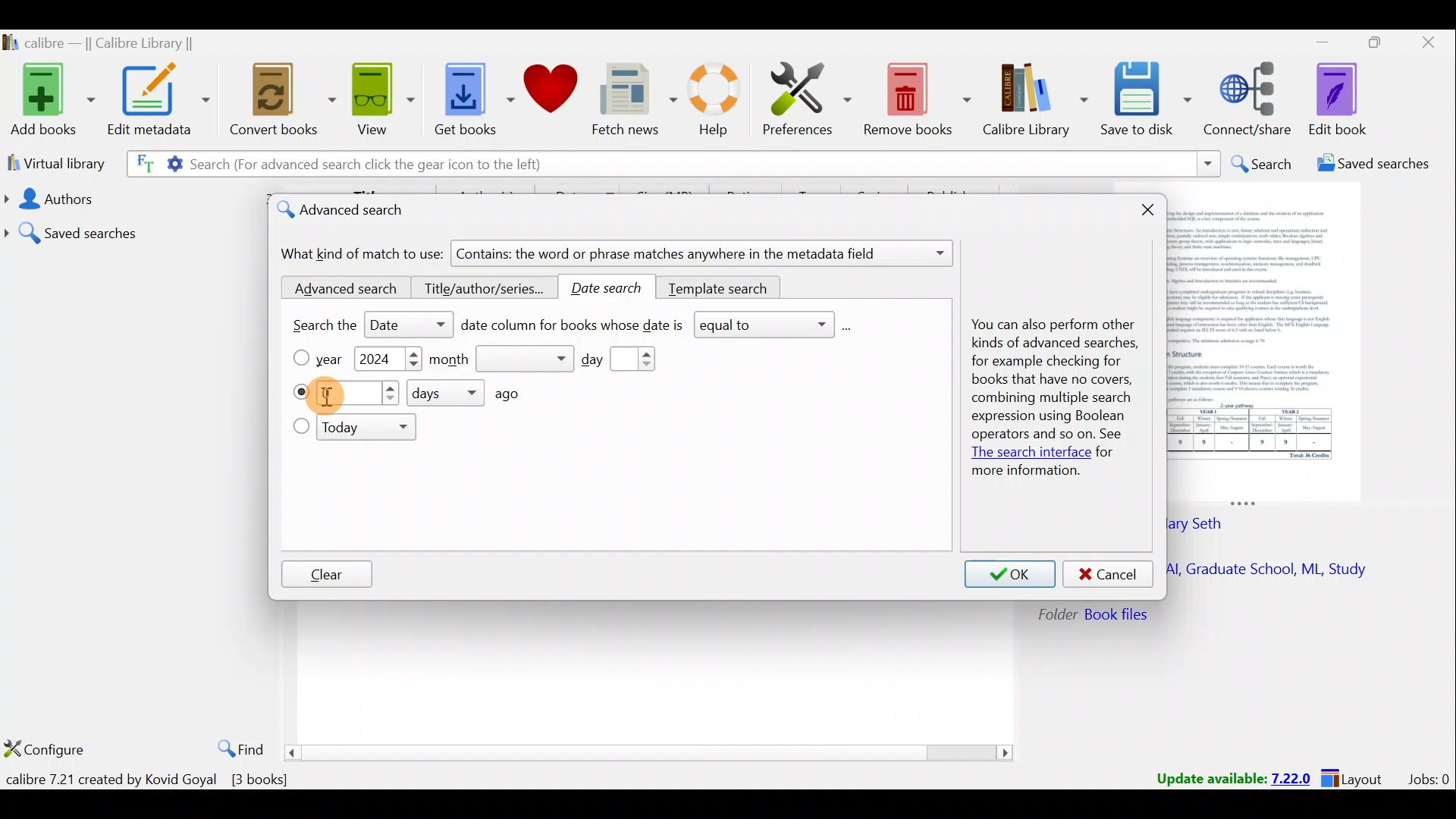  I want to click on What day?, so click(300, 392).